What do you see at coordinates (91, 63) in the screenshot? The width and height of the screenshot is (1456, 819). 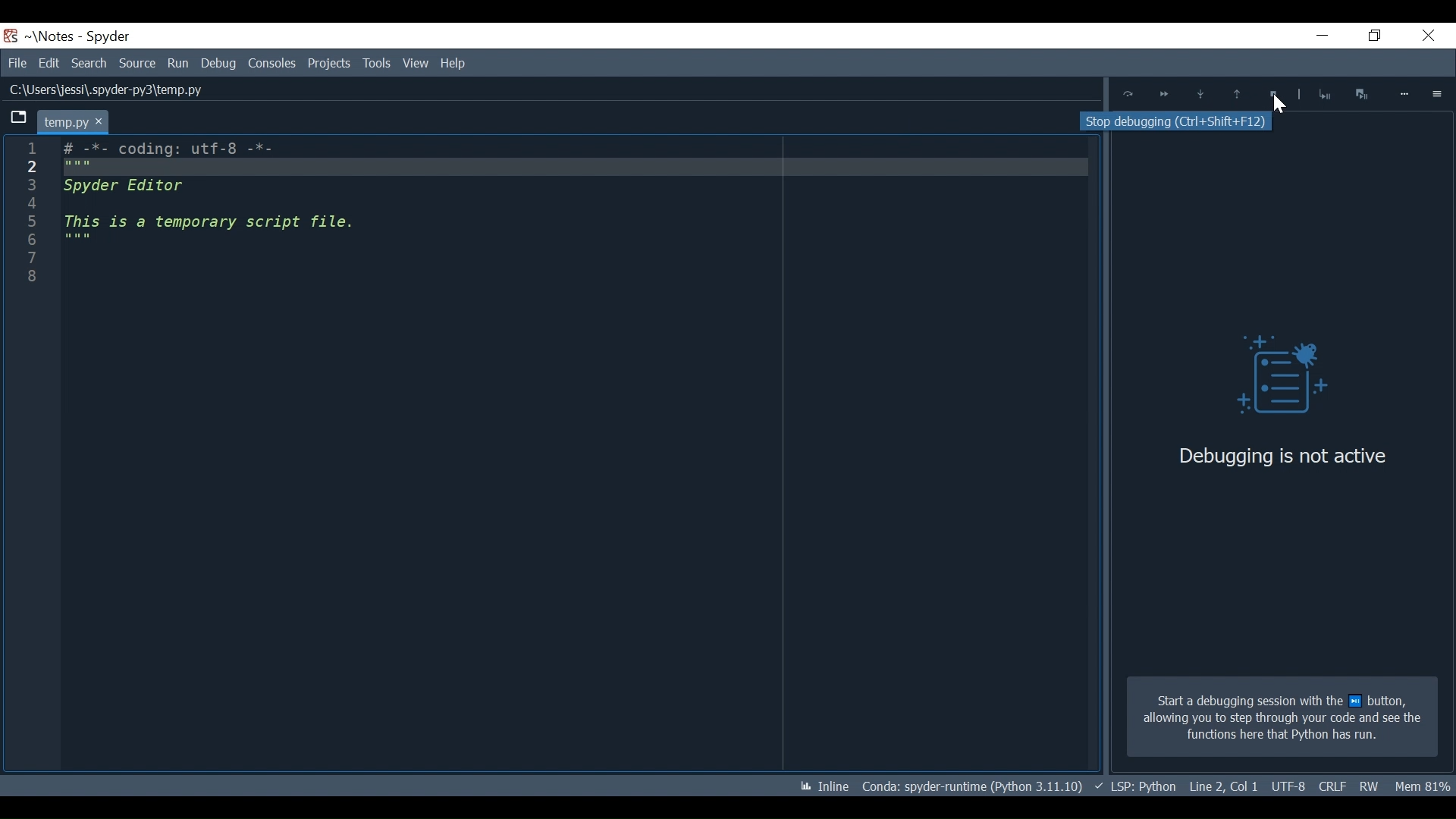 I see `Search` at bounding box center [91, 63].